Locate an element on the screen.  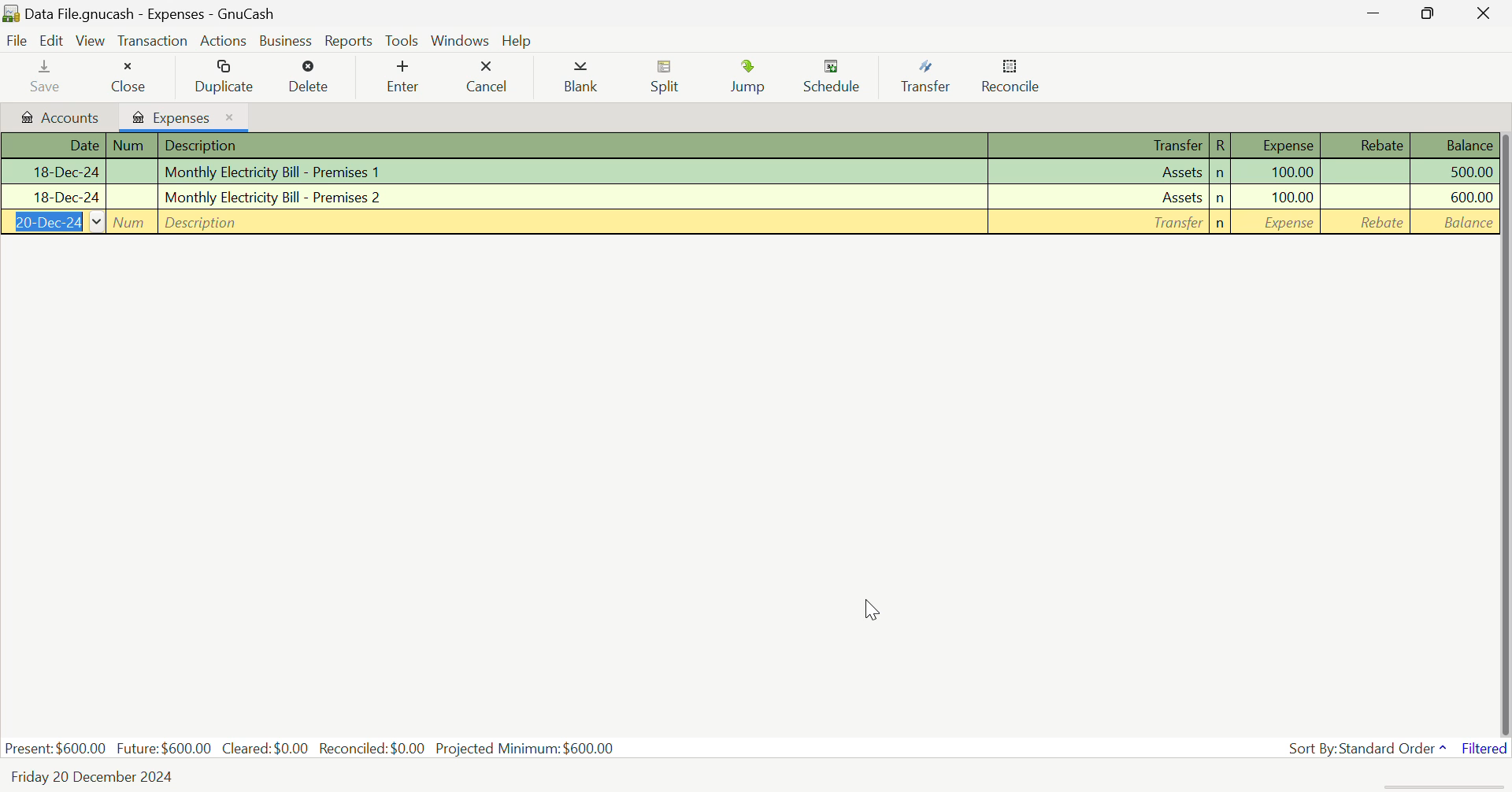
Description is located at coordinates (573, 220).